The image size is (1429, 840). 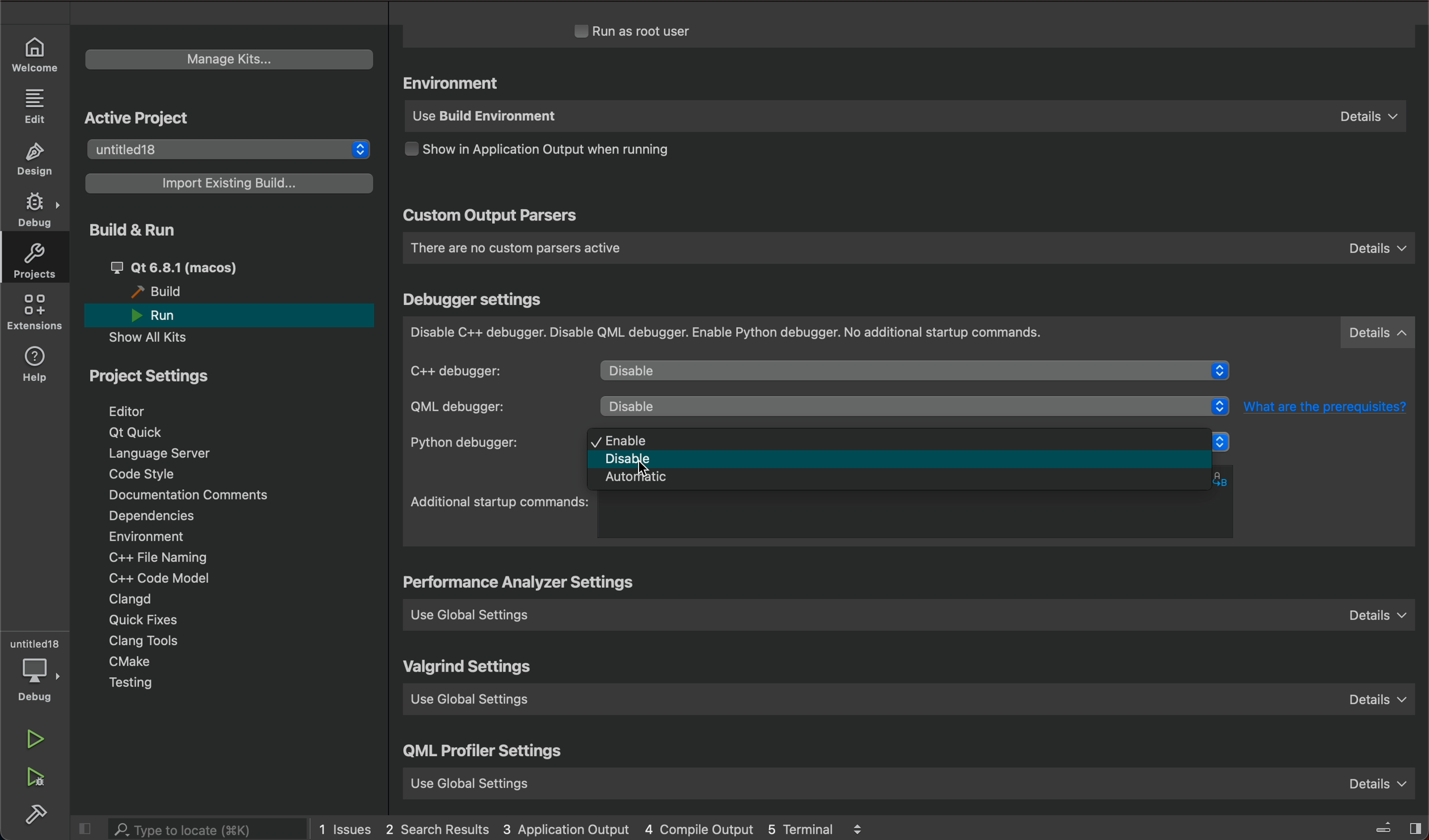 What do you see at coordinates (657, 461) in the screenshot?
I see `cursor` at bounding box center [657, 461].